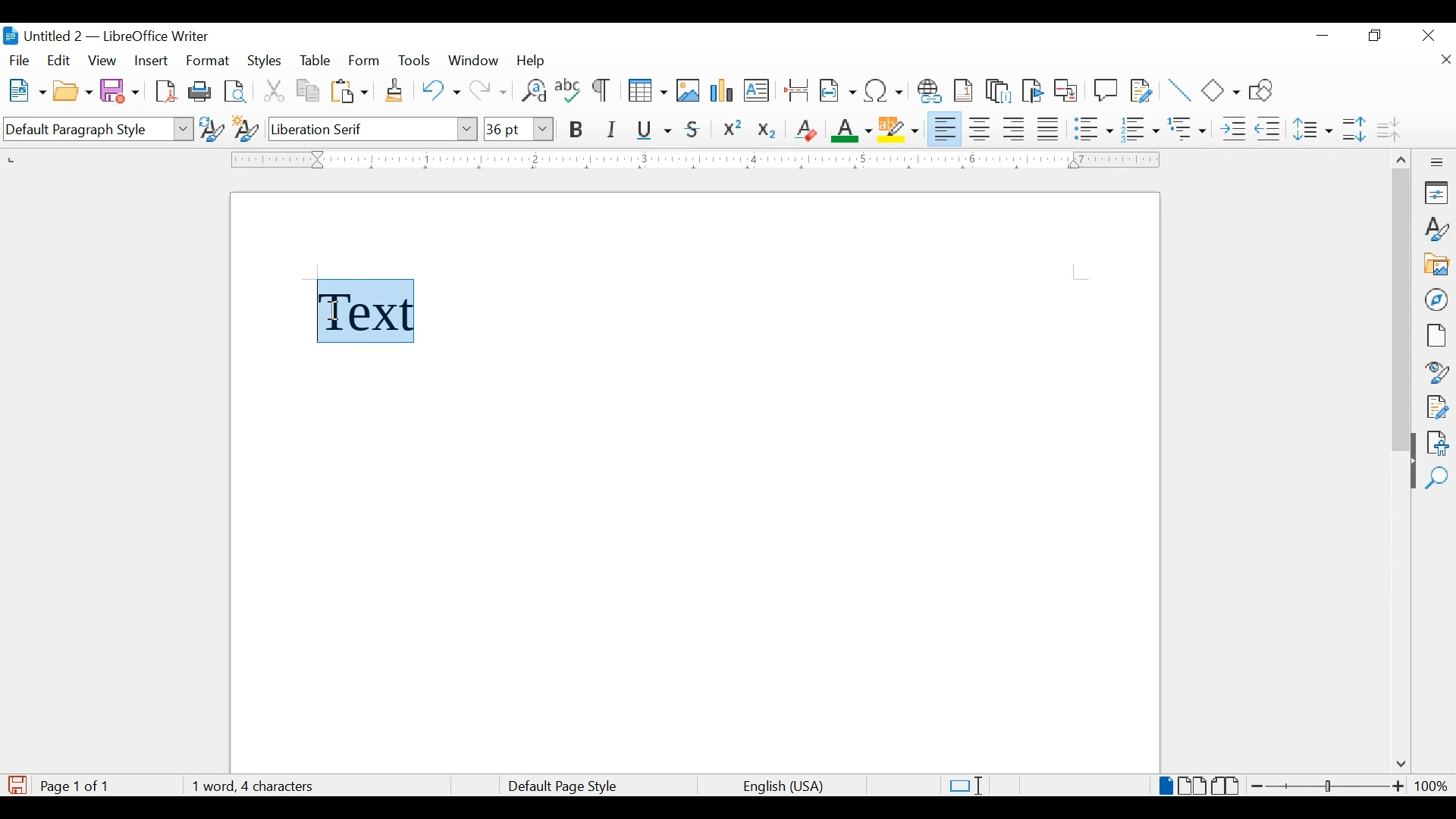 This screenshot has width=1456, height=819. I want to click on cut, so click(275, 90).